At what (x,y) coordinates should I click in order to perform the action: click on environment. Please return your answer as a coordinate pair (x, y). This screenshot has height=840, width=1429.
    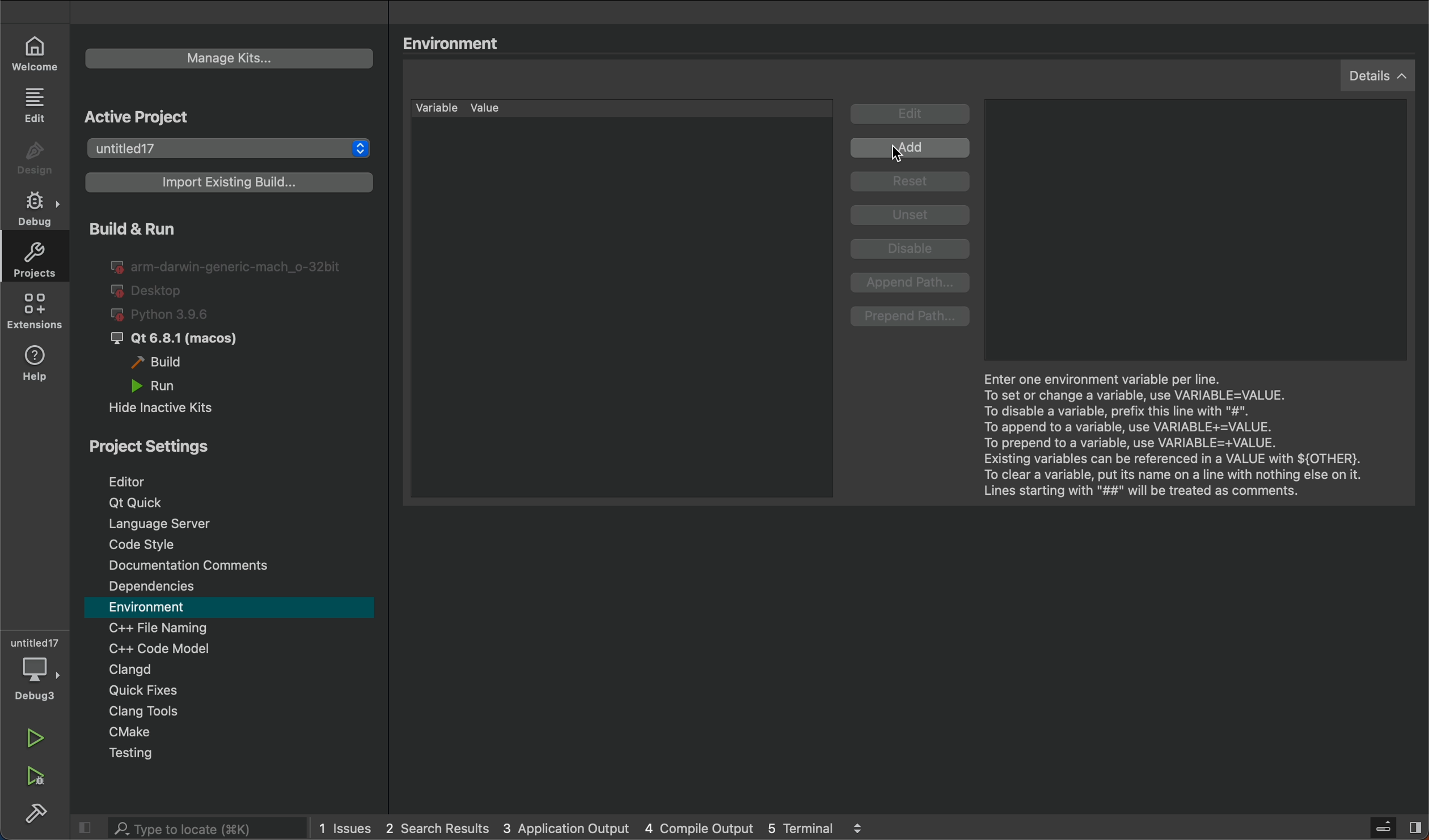
    Looking at the image, I should click on (231, 608).